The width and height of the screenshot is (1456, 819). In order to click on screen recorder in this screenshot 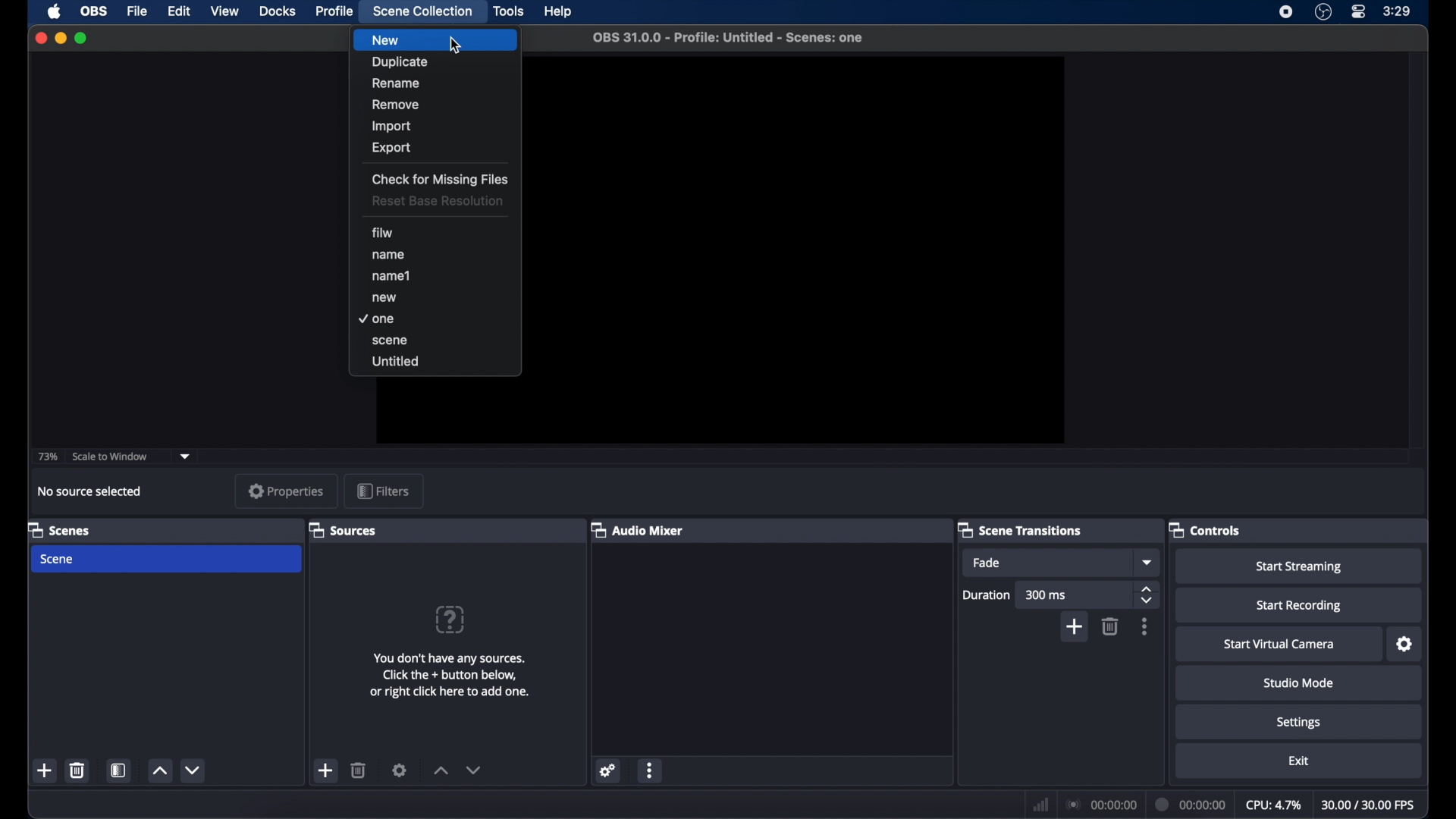, I will do `click(1286, 12)`.